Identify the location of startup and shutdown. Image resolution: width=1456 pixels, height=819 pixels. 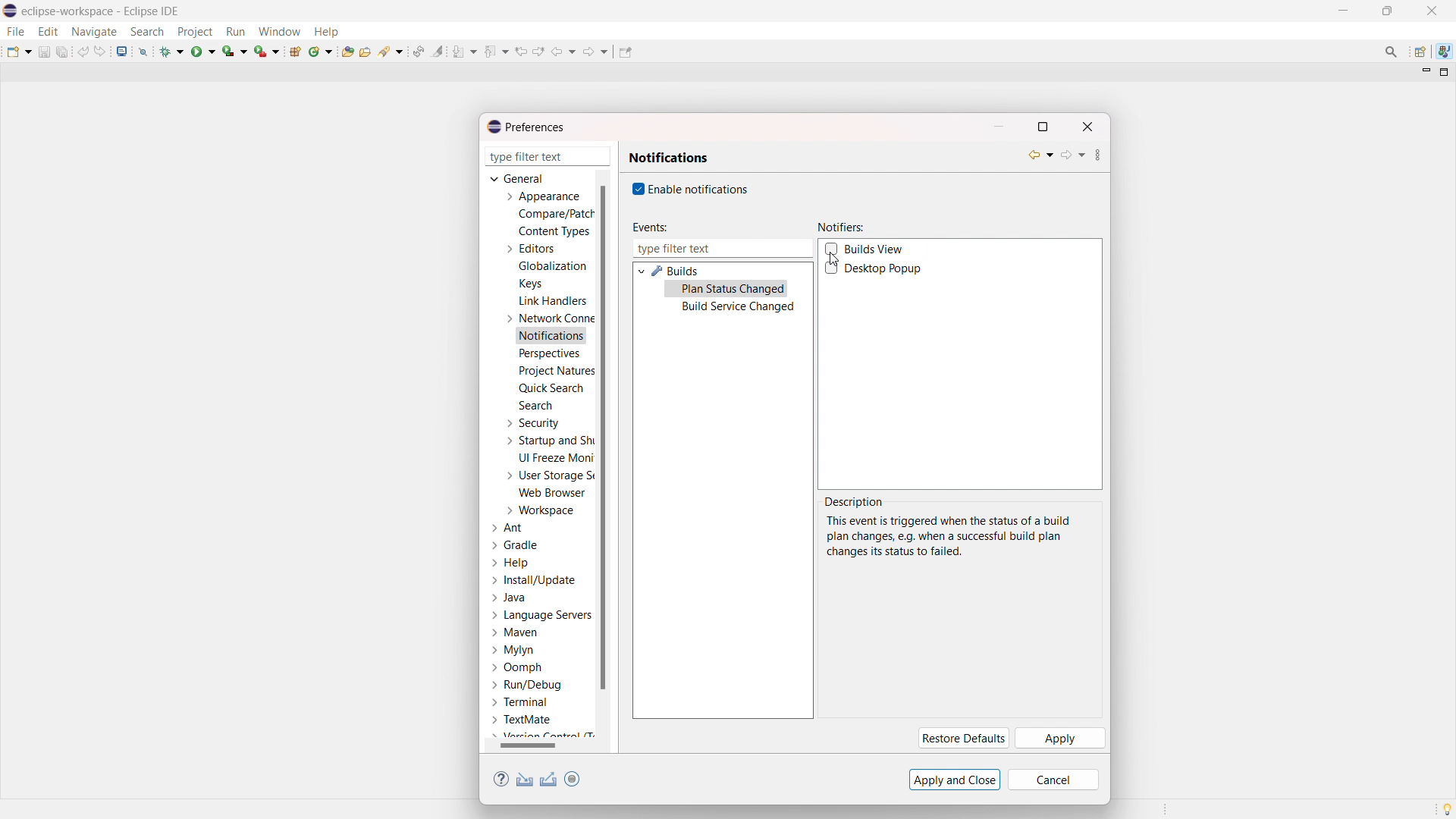
(548, 441).